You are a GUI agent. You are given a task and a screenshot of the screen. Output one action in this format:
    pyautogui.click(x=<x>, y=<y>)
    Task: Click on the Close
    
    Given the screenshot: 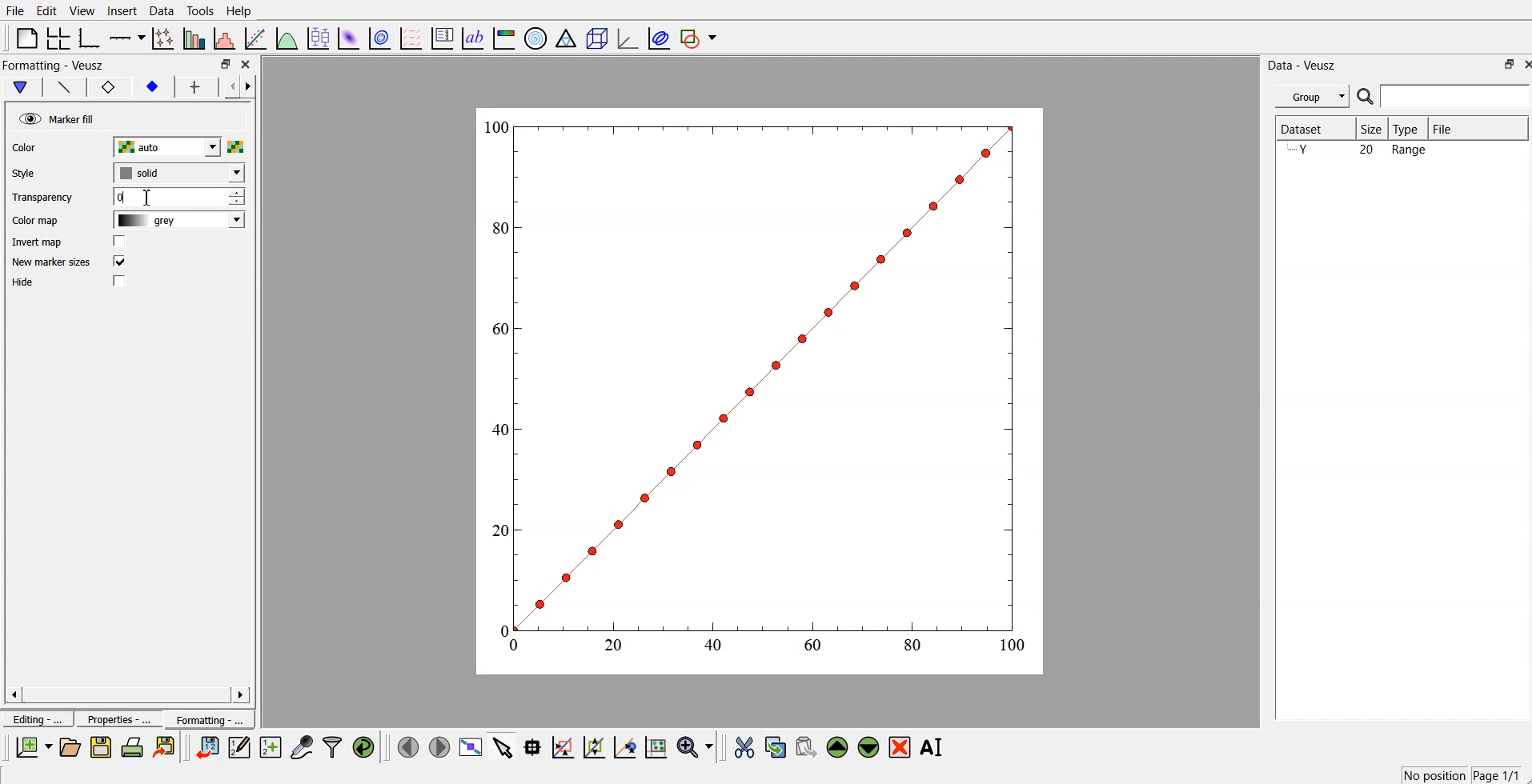 What is the action you would take?
    pyautogui.click(x=248, y=66)
    